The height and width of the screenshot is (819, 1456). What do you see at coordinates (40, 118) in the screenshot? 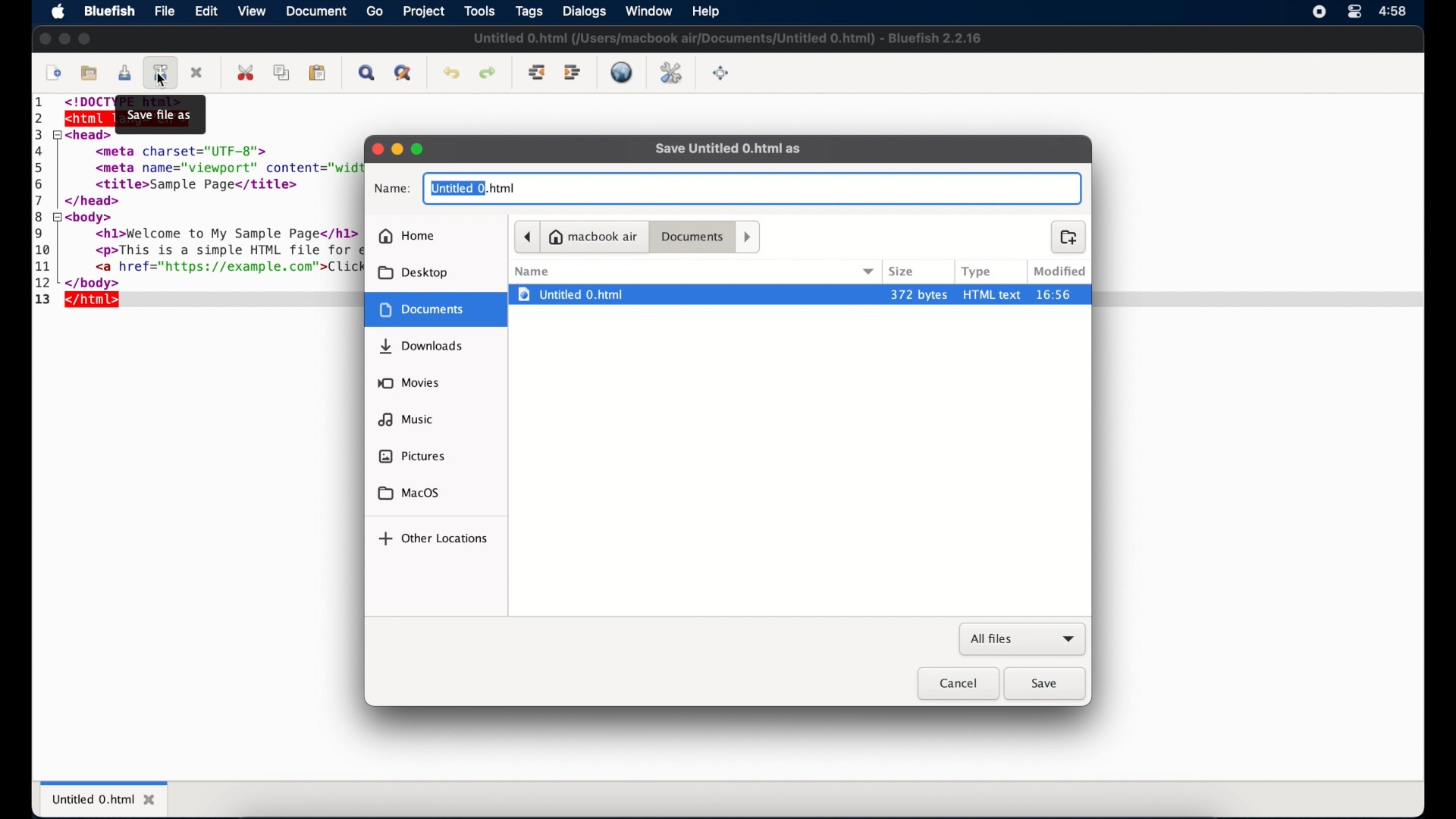
I see `2` at bounding box center [40, 118].